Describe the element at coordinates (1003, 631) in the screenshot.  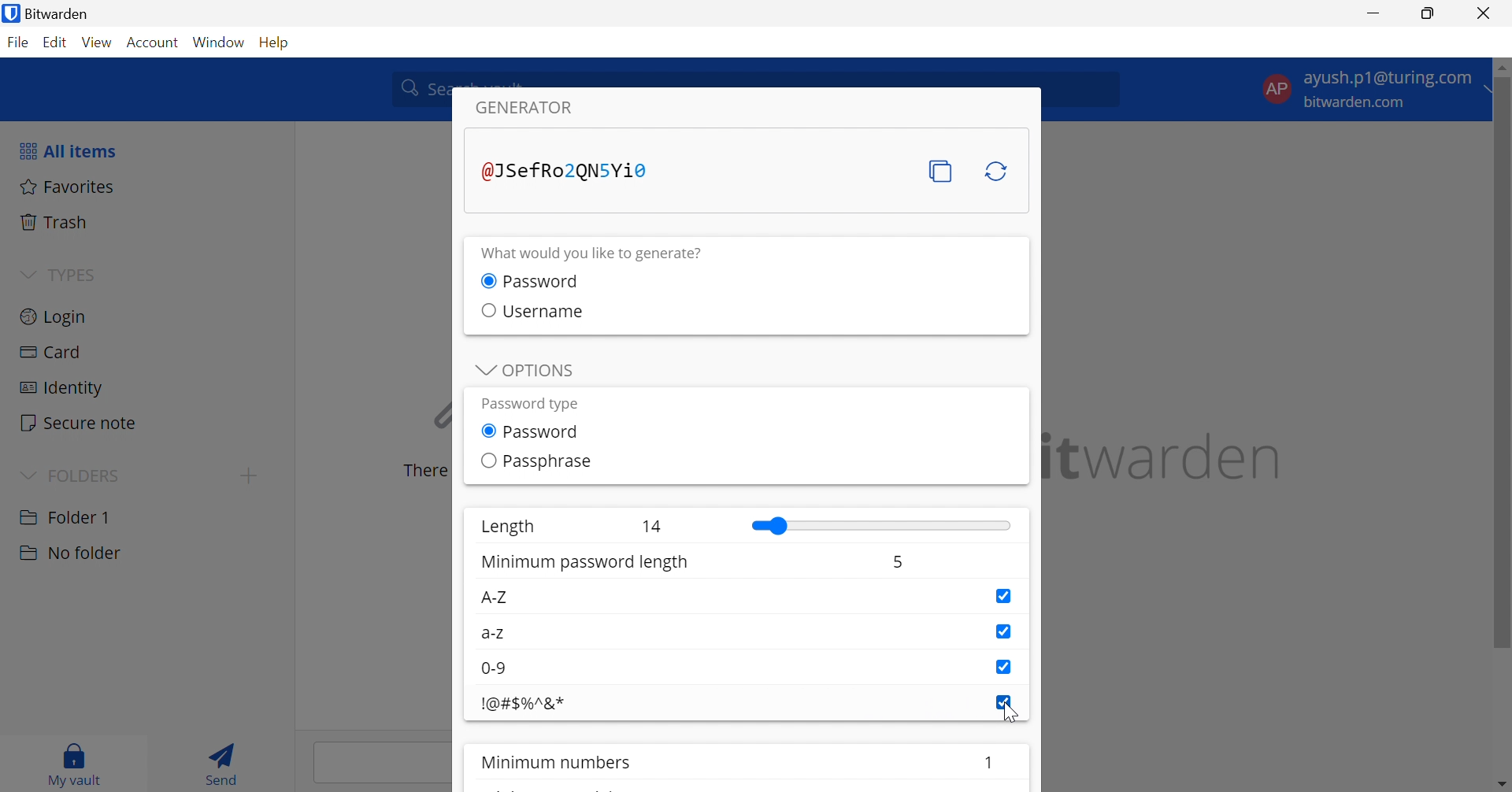
I see `Checkbox` at that location.